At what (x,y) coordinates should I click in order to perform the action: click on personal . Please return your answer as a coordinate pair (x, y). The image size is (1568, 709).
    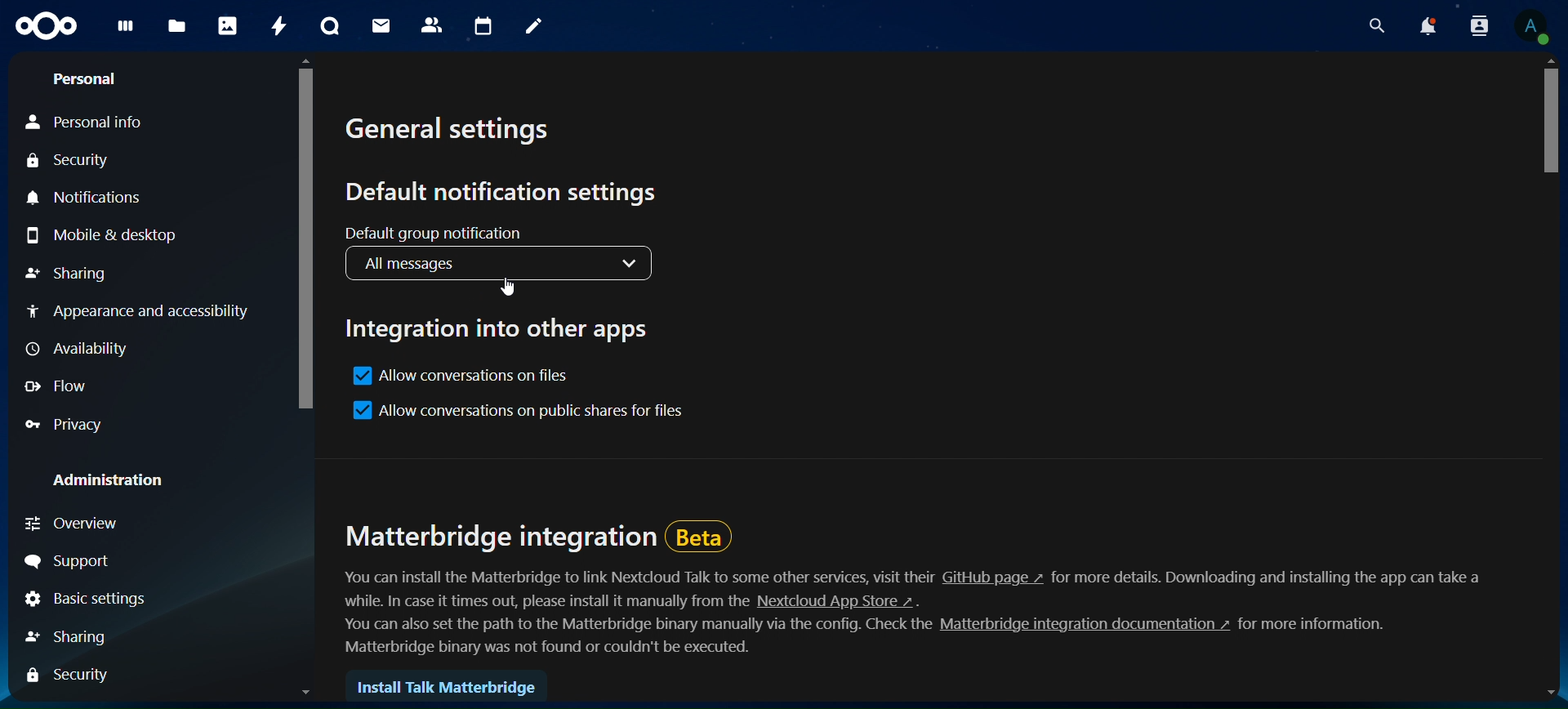
    Looking at the image, I should click on (85, 78).